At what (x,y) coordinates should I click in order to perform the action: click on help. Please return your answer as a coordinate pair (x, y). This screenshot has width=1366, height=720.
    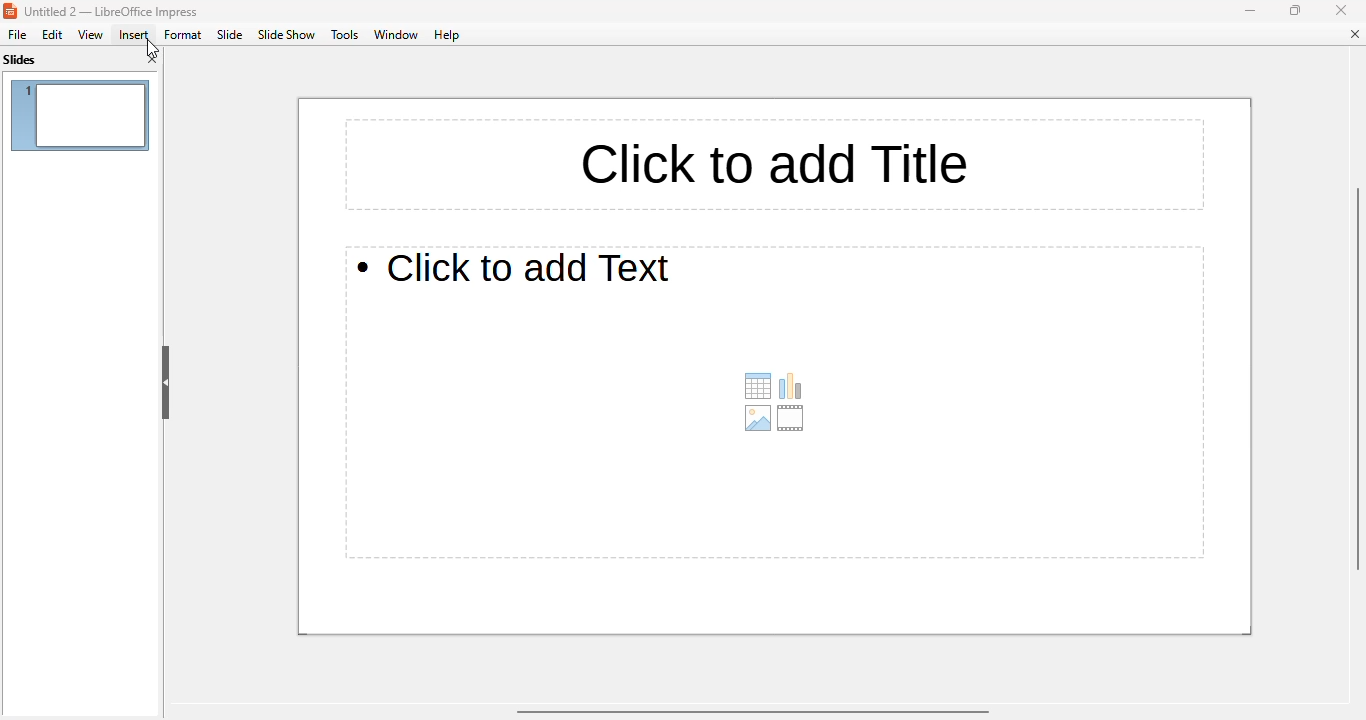
    Looking at the image, I should click on (447, 34).